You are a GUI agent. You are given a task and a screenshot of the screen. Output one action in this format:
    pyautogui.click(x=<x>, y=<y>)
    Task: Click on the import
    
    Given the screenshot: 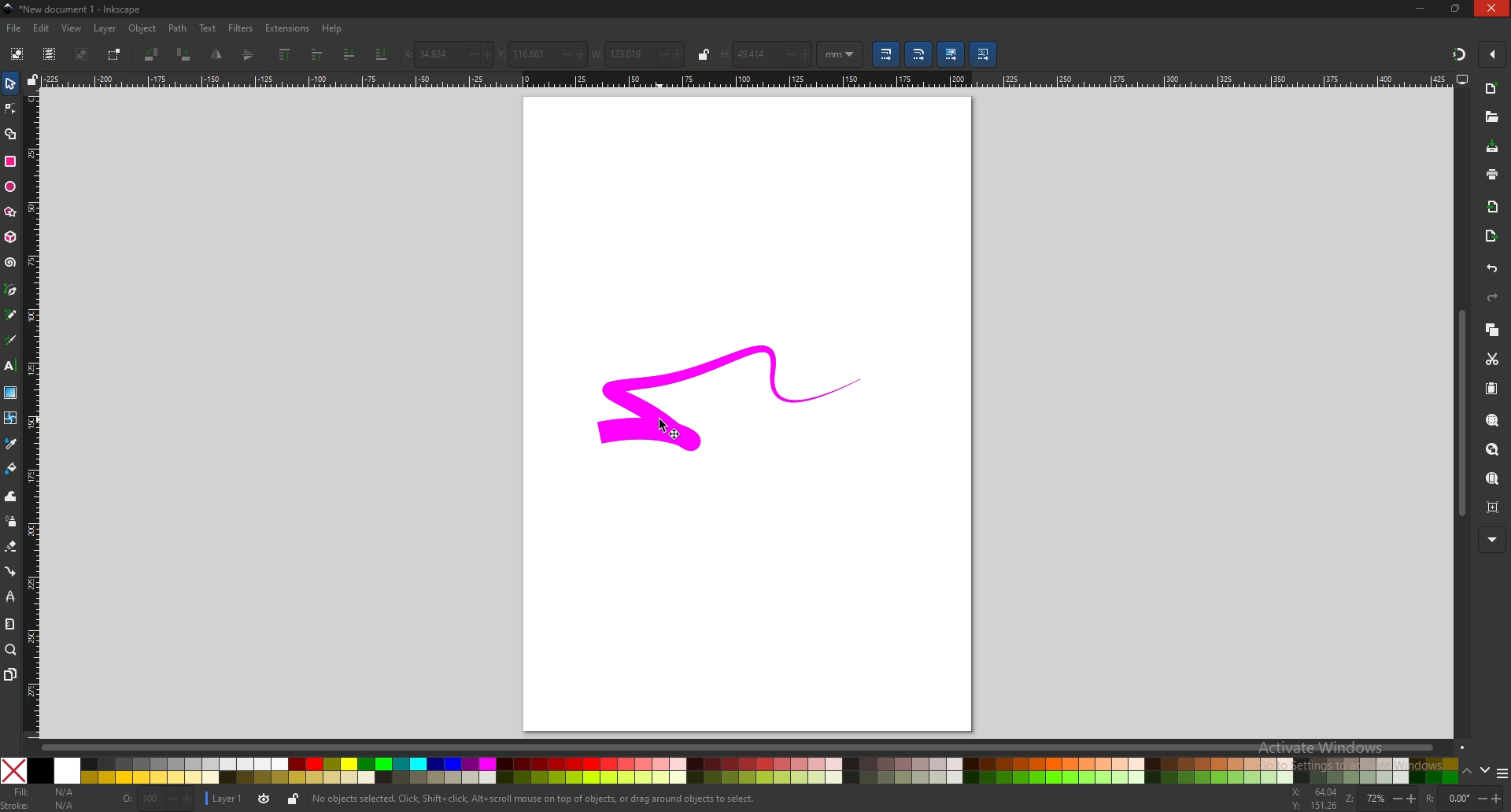 What is the action you would take?
    pyautogui.click(x=1493, y=208)
    